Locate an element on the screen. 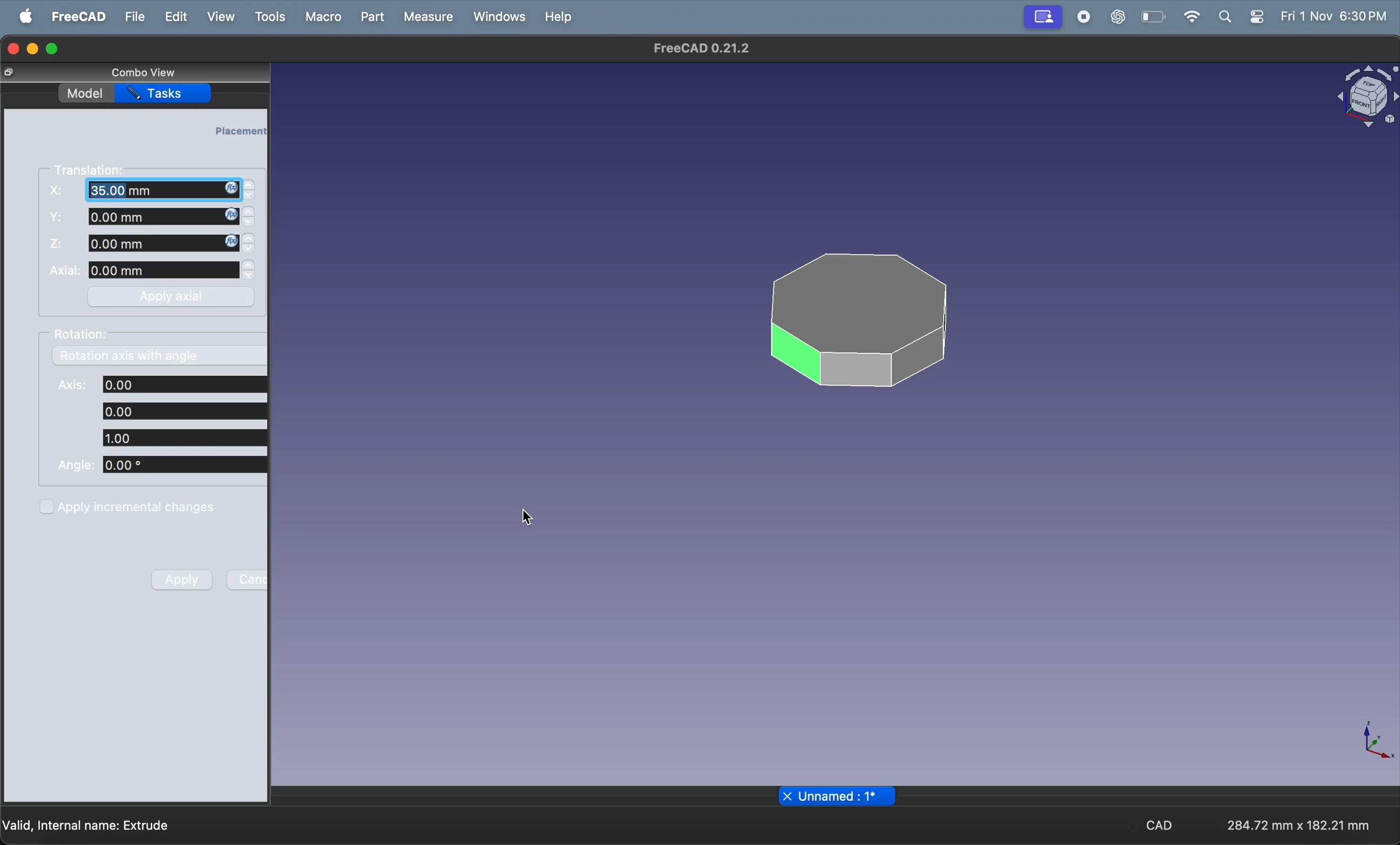 Image resolution: width=1400 pixels, height=845 pixels. help is located at coordinates (561, 16).